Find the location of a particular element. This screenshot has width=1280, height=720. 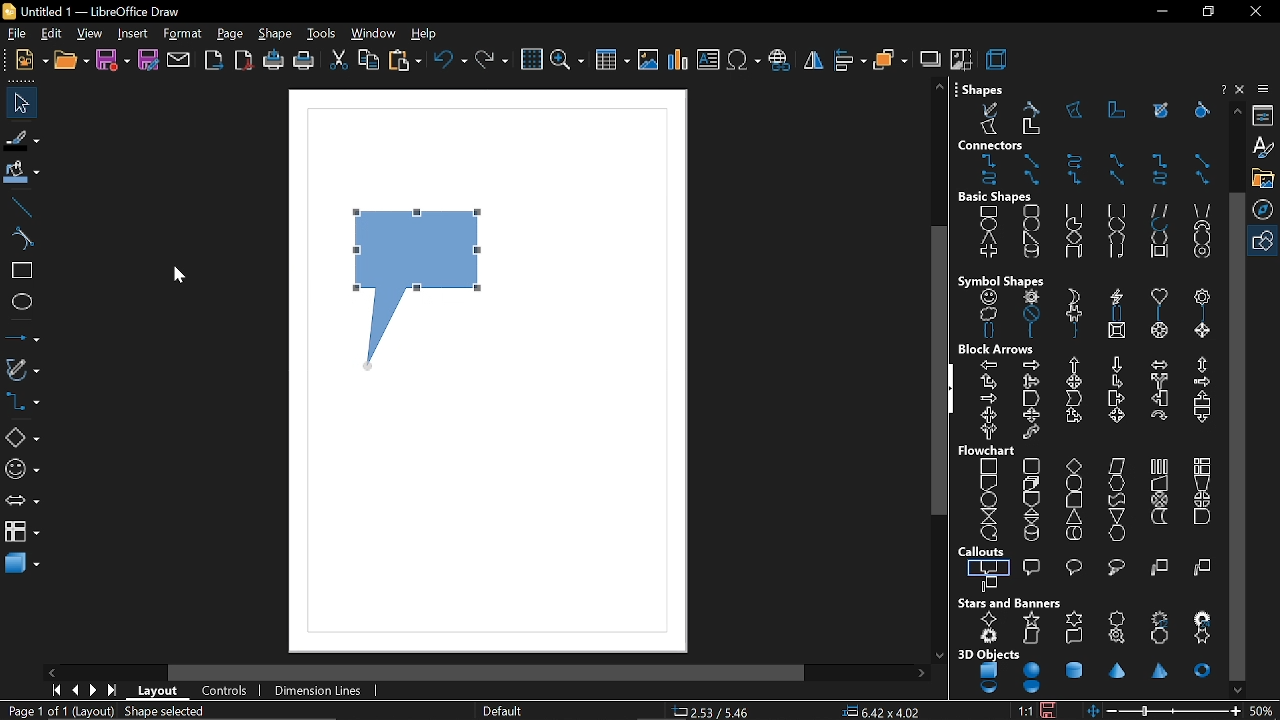

data is located at coordinates (1117, 467).